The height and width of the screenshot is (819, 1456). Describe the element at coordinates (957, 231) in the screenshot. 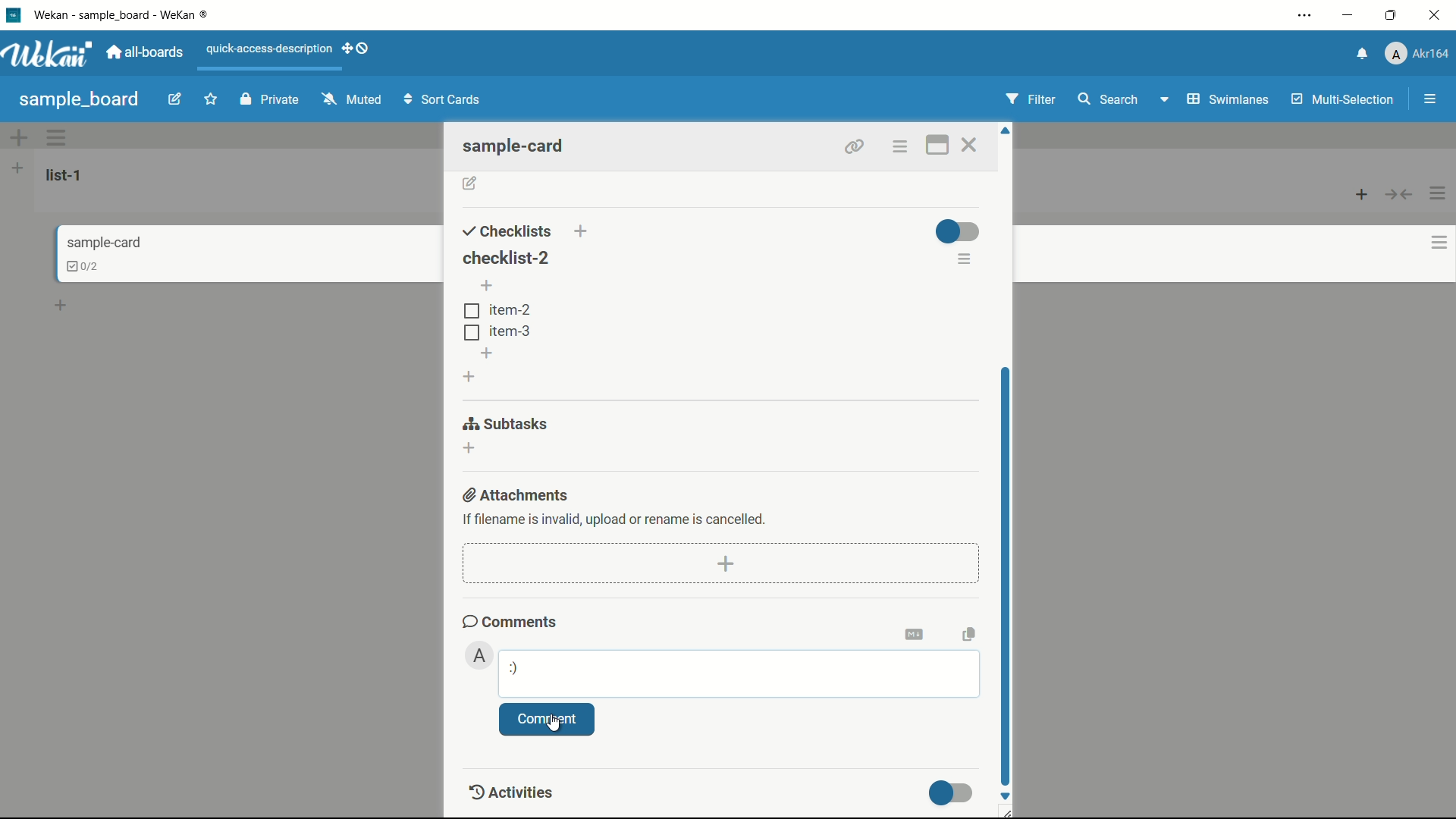

I see `toggle button` at that location.